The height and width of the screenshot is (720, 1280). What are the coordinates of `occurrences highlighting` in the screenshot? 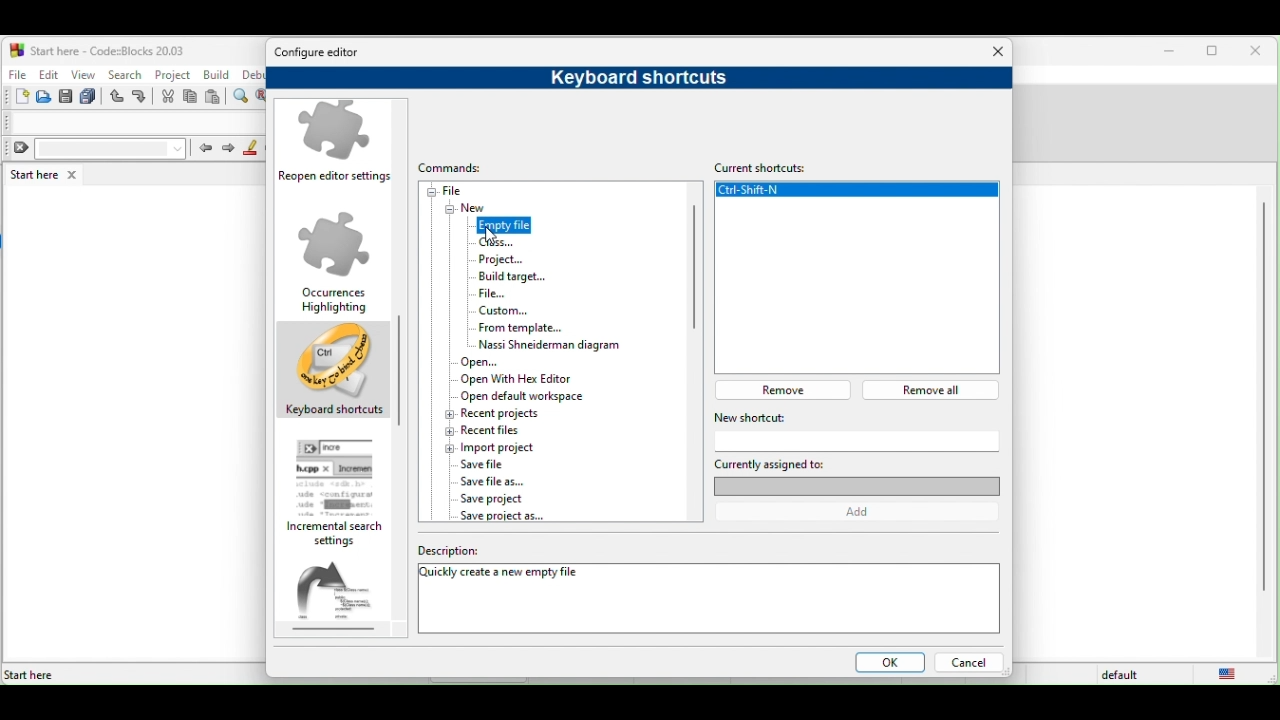 It's located at (335, 261).